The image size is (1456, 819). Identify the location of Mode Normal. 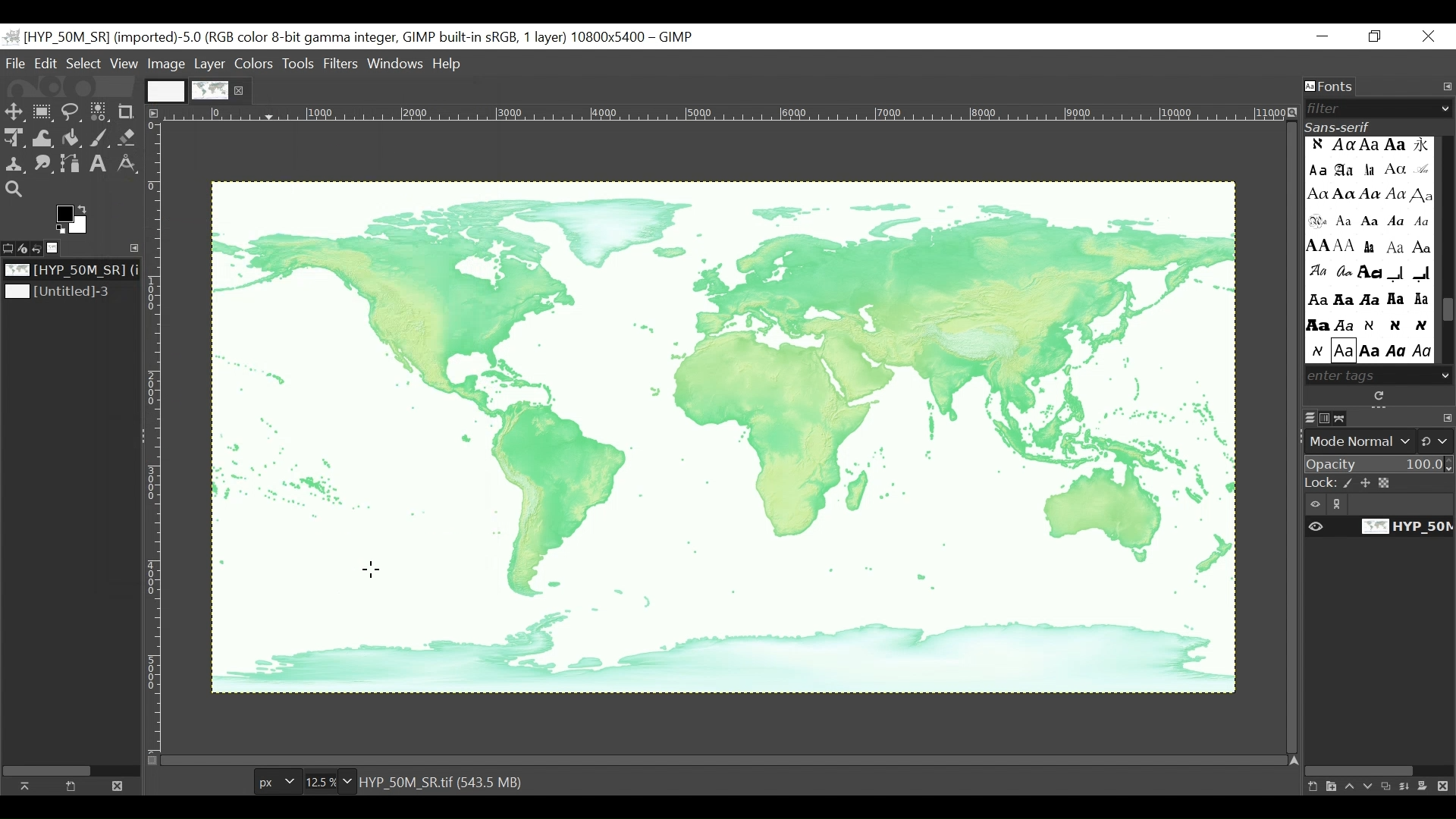
(1381, 441).